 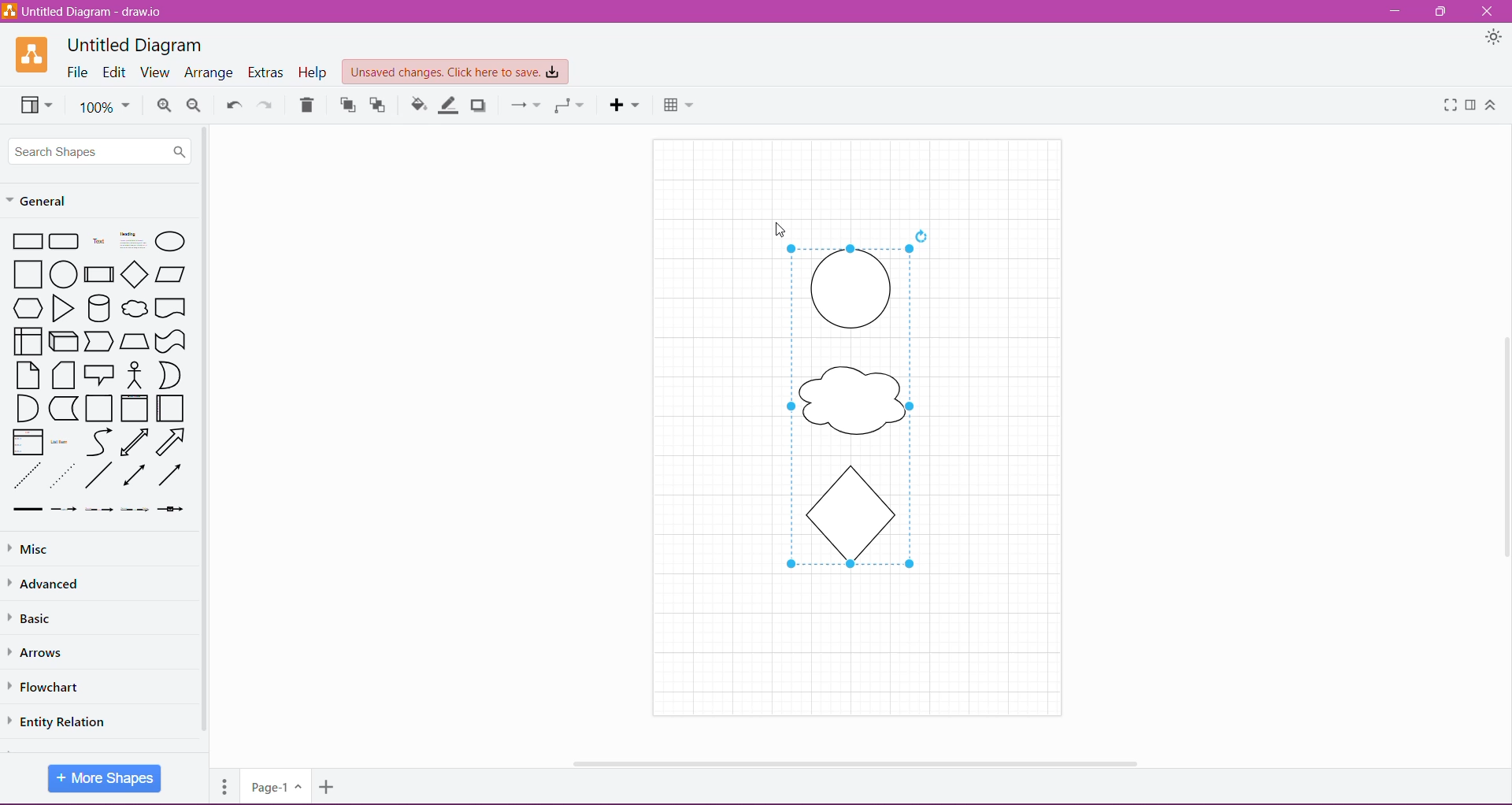 What do you see at coordinates (33, 54) in the screenshot?
I see `Application Logo` at bounding box center [33, 54].